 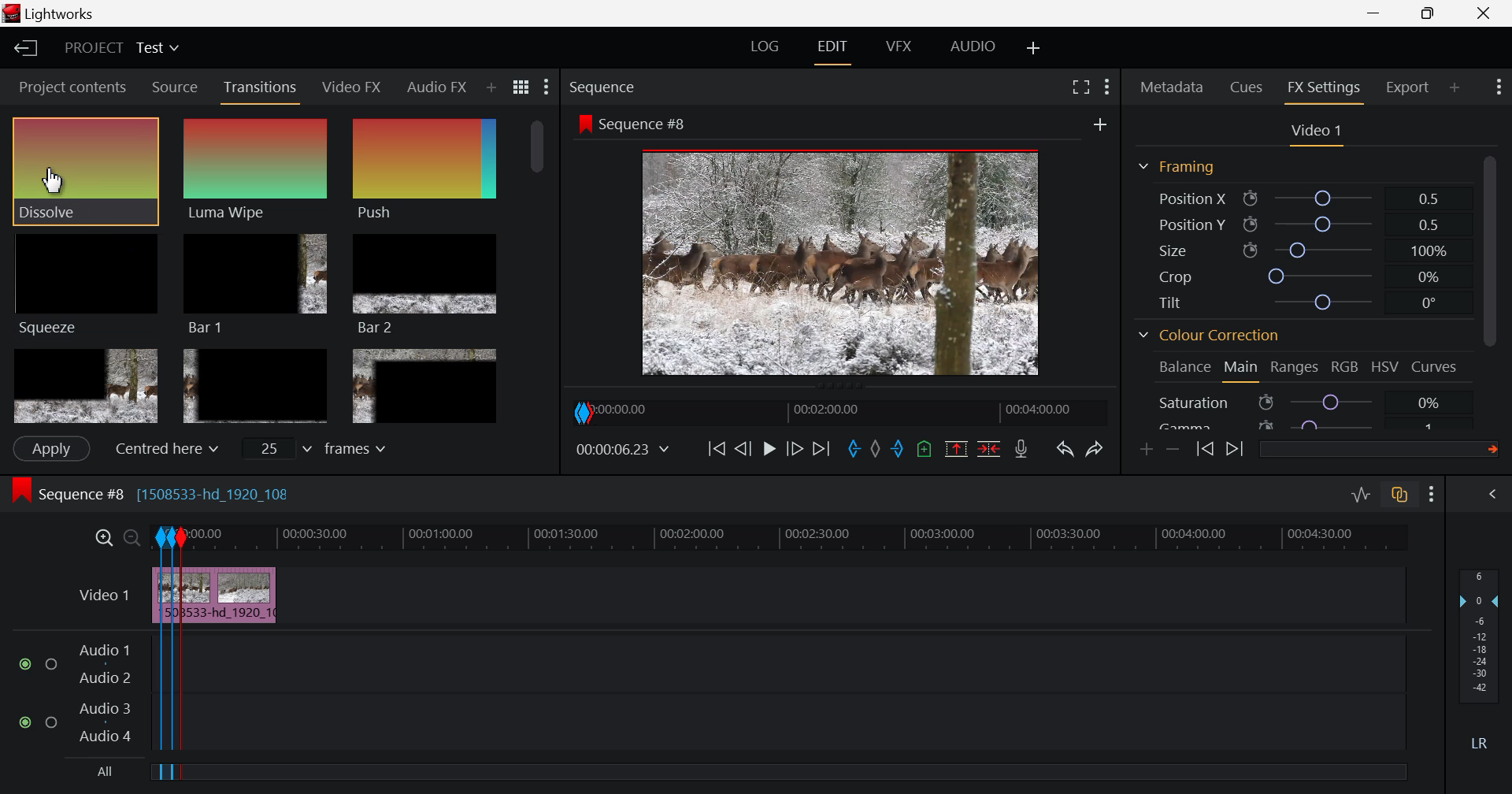 I want to click on Box 4, so click(x=84, y=387).